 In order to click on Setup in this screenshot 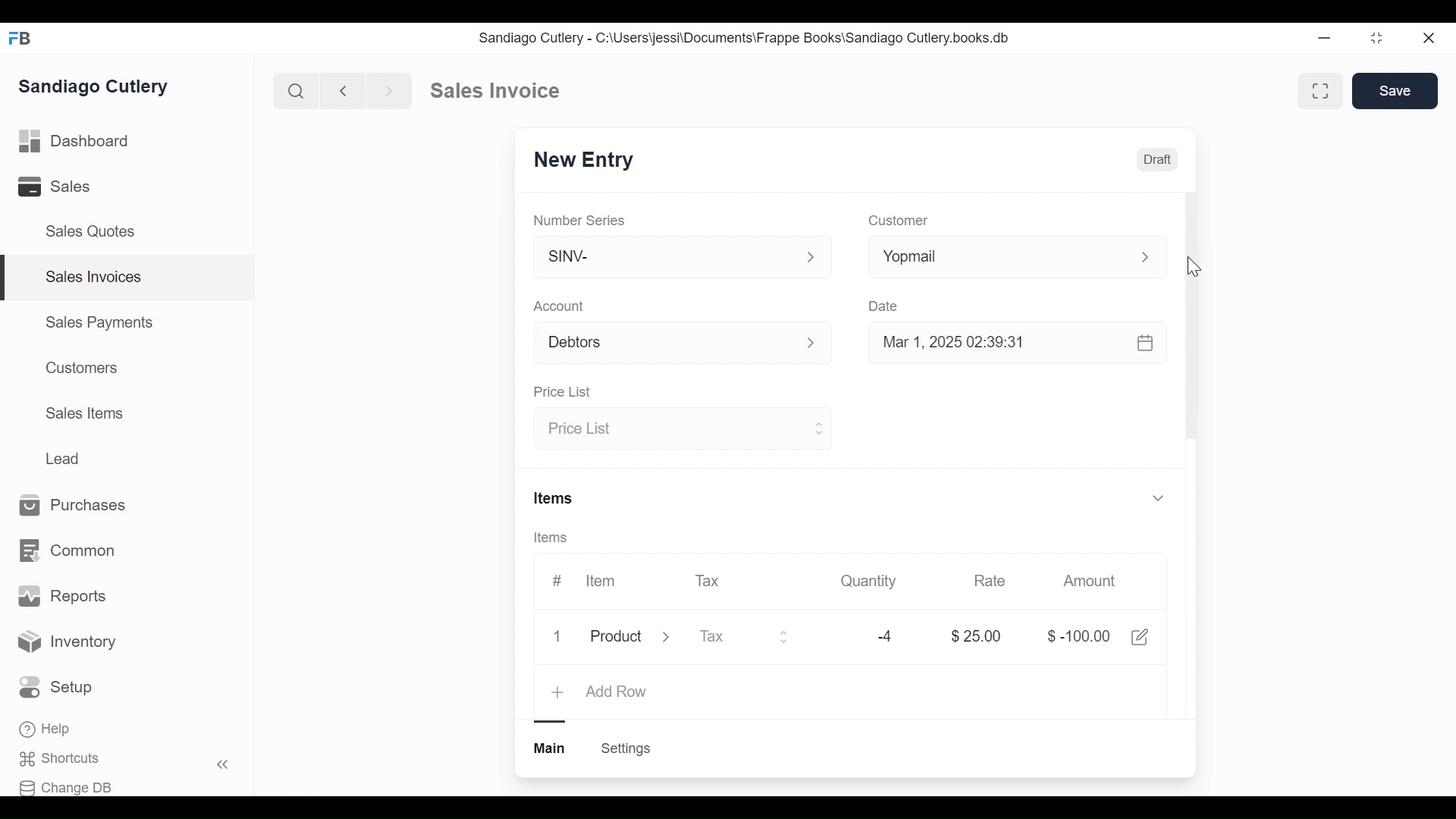, I will do `click(56, 687)`.